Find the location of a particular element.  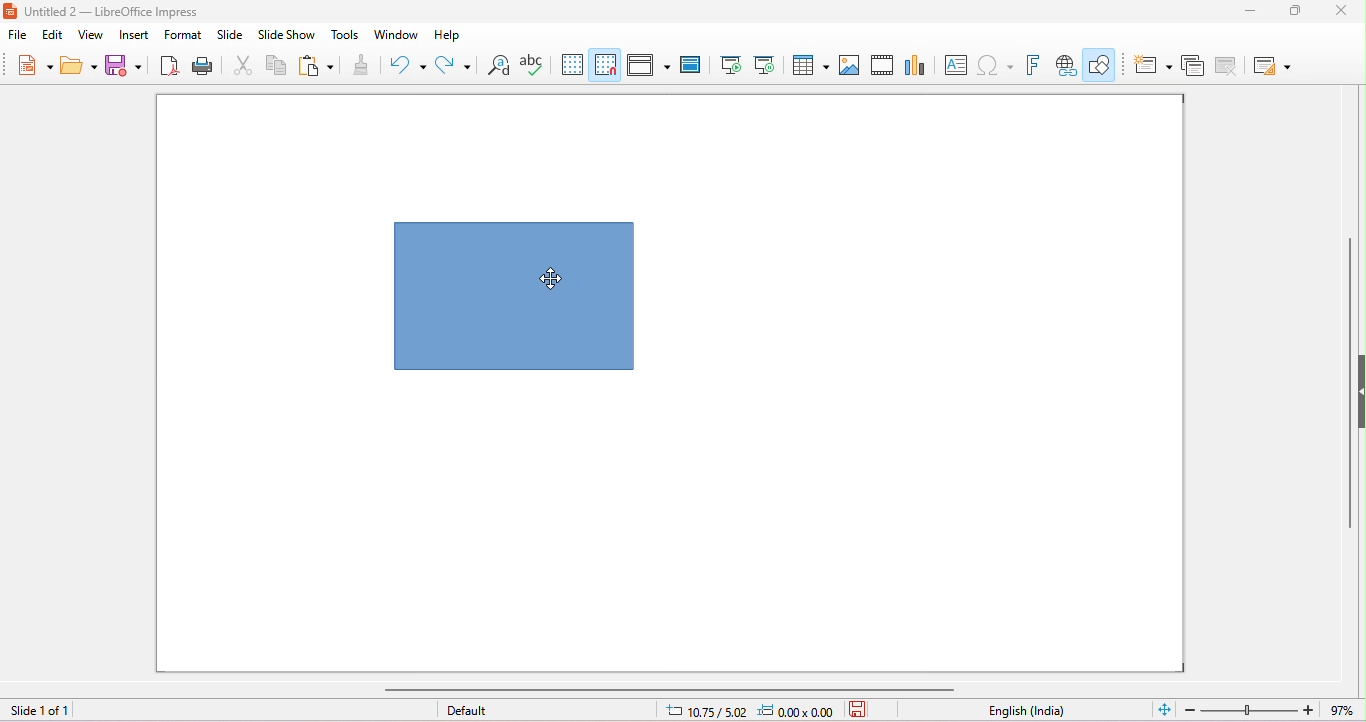

view is located at coordinates (91, 35).